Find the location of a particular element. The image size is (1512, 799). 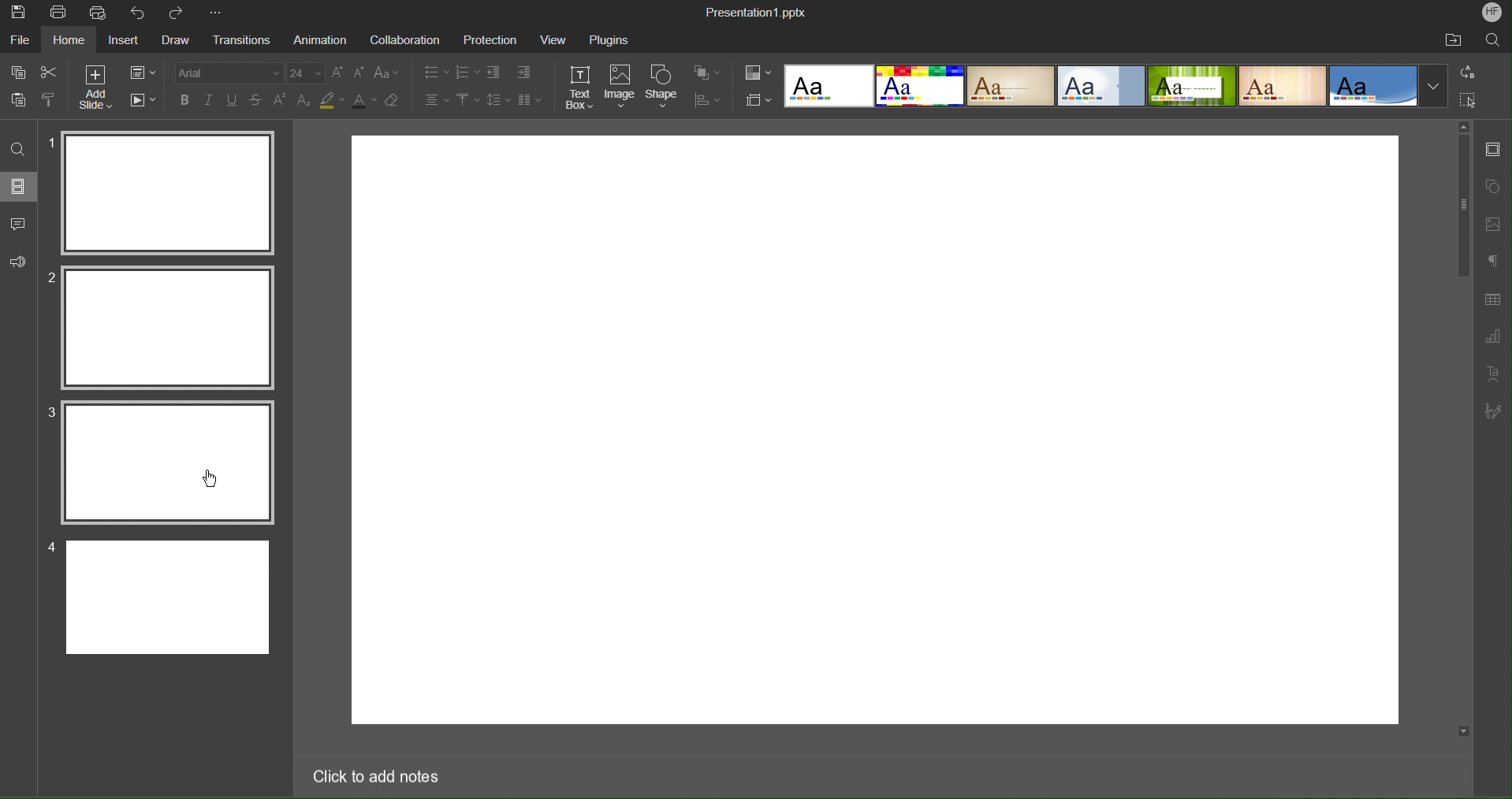

Shape Settings is located at coordinates (1493, 186).